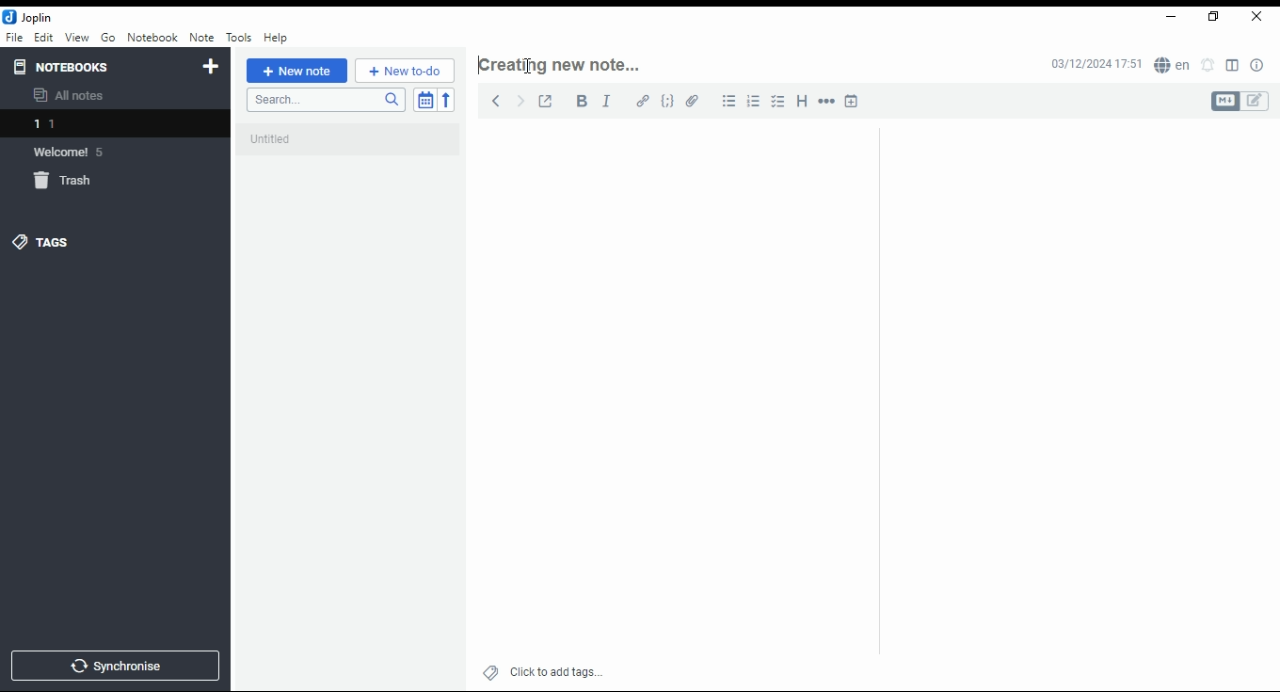  Describe the element at coordinates (730, 101) in the screenshot. I see `bullet list` at that location.